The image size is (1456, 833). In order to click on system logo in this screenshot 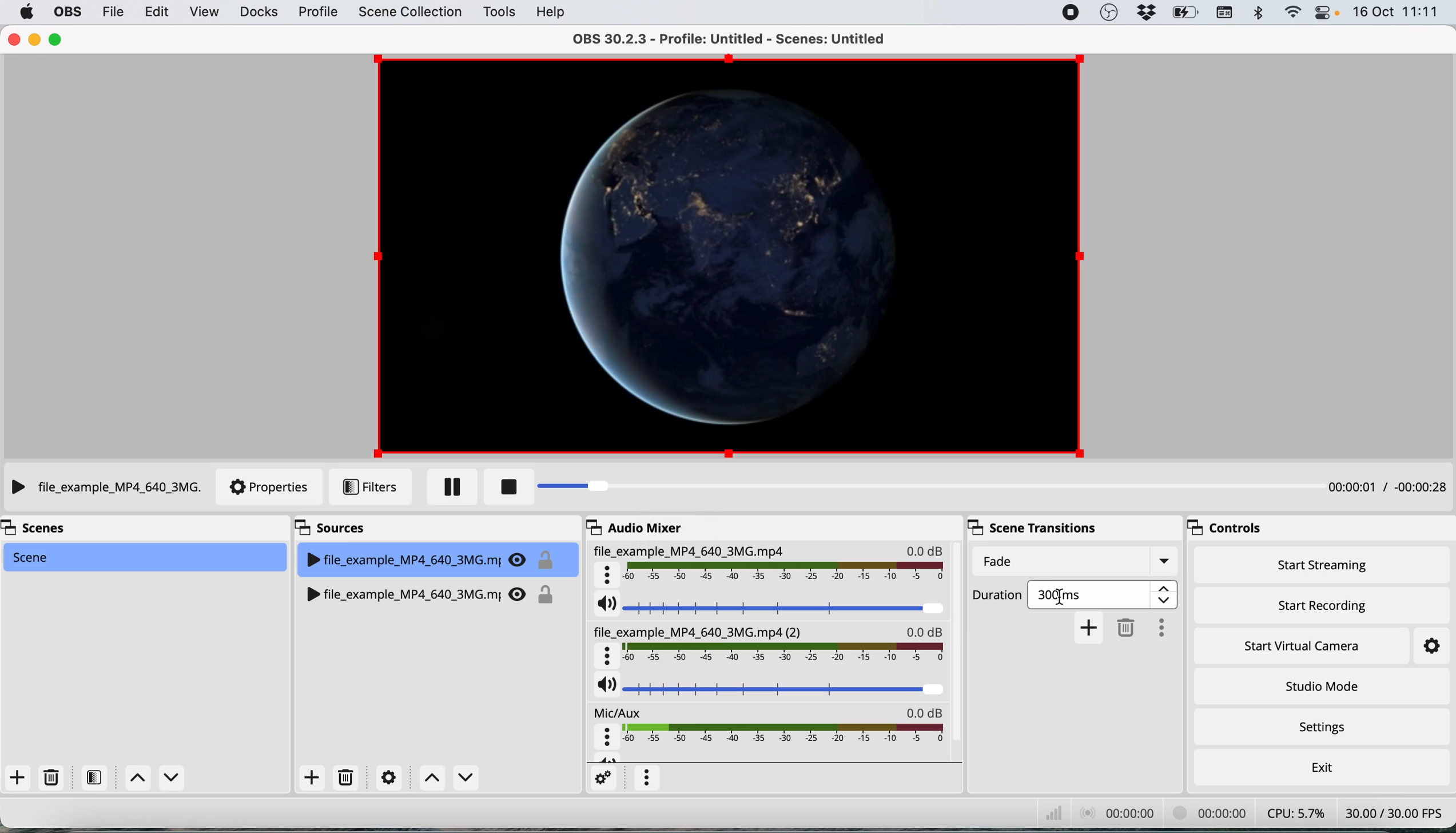, I will do `click(26, 11)`.